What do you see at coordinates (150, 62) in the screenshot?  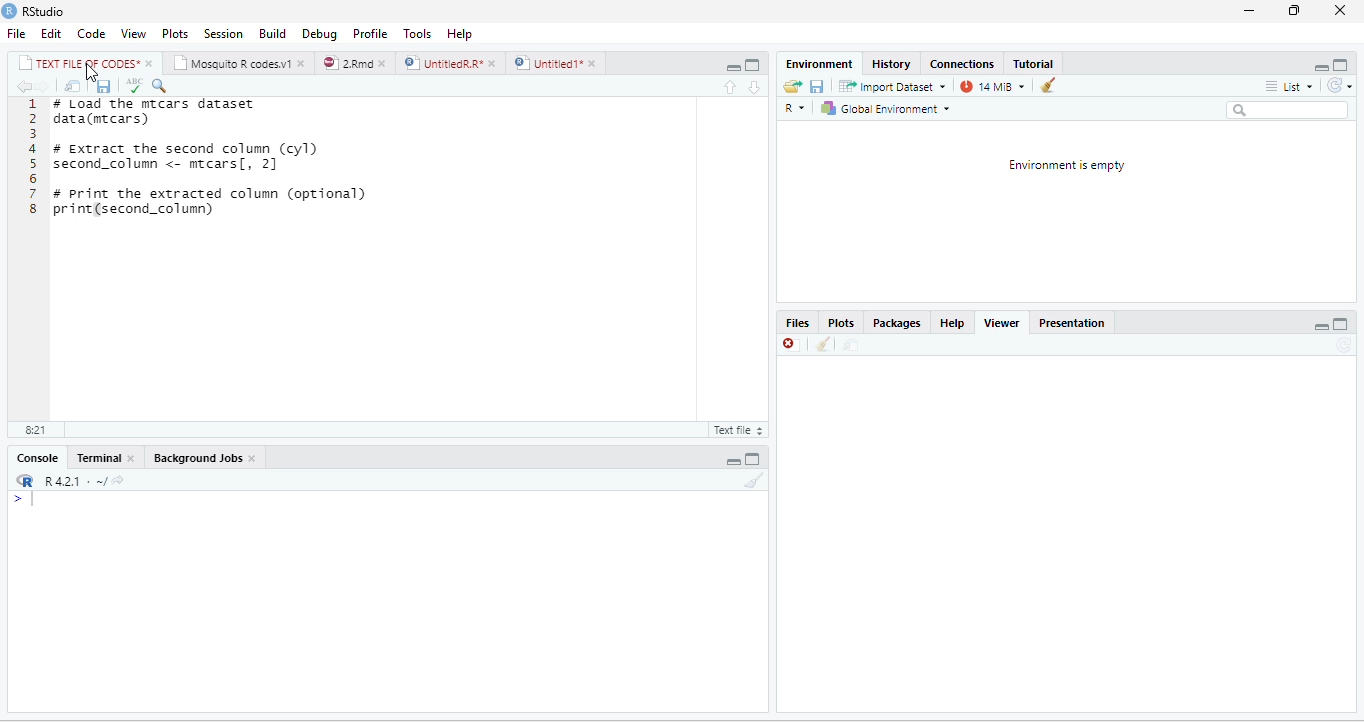 I see `close` at bounding box center [150, 62].